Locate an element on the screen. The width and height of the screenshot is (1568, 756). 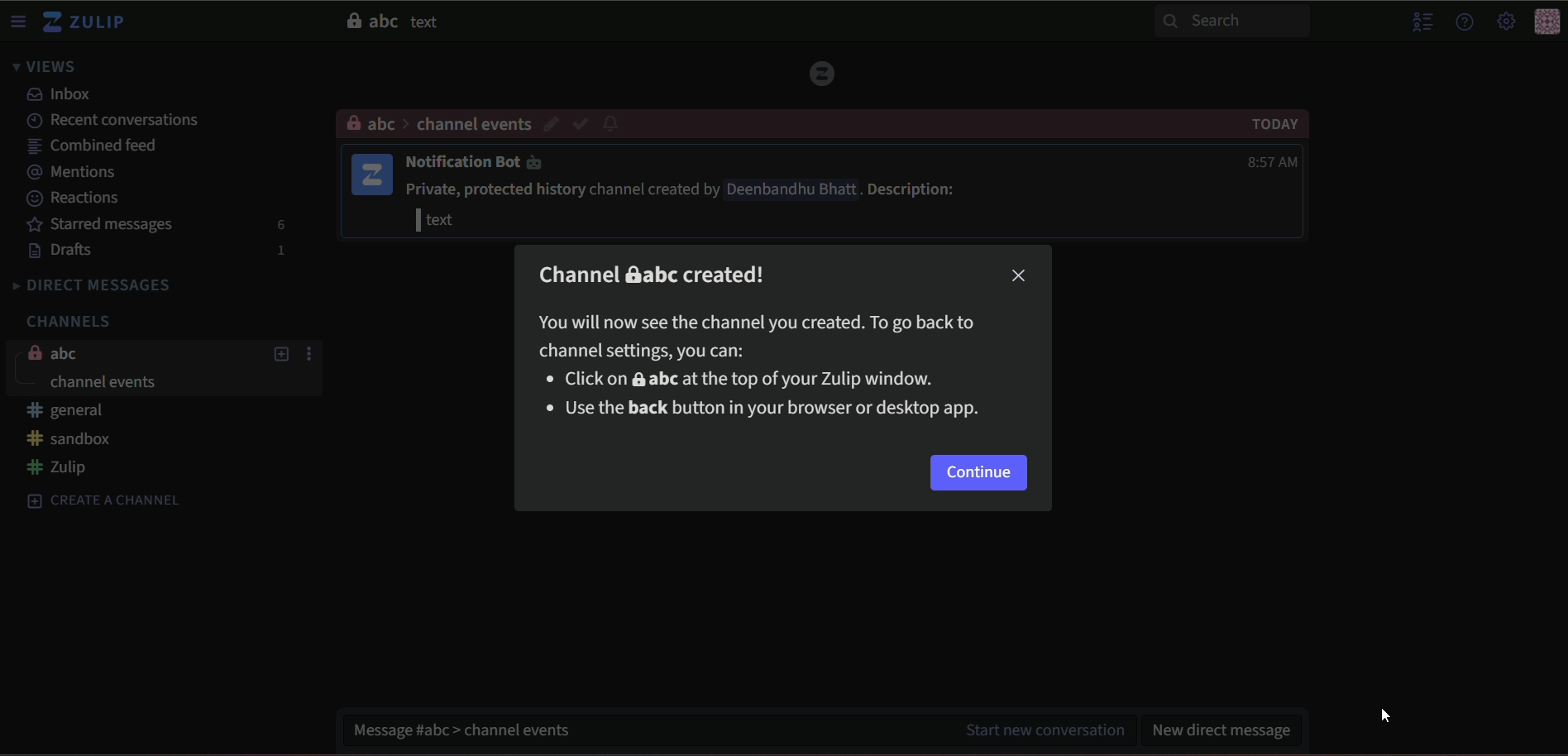
#zulip is located at coordinates (65, 467).